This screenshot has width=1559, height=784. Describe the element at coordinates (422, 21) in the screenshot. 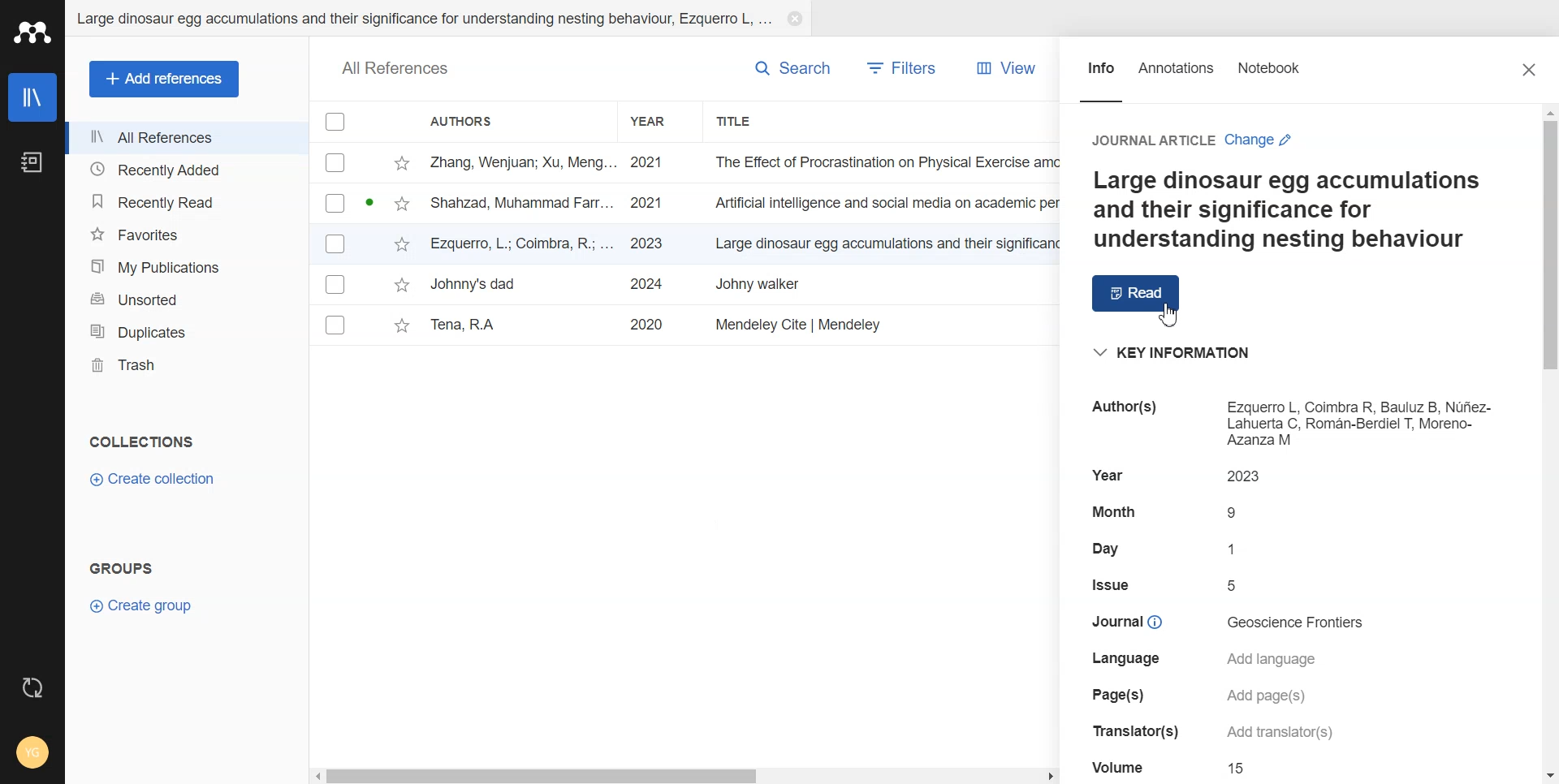

I see `Folder` at that location.